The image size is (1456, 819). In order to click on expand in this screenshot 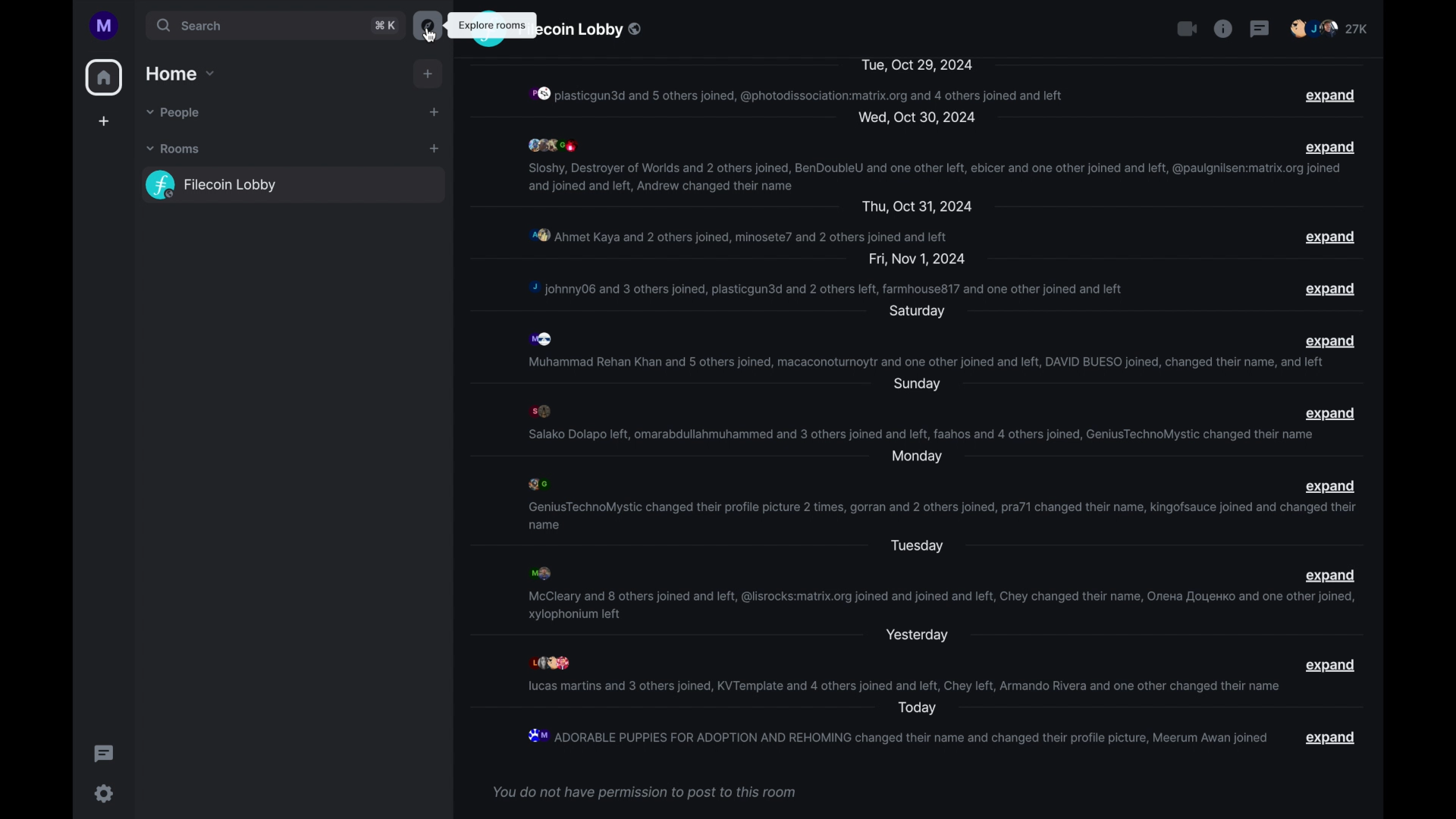, I will do `click(1332, 146)`.